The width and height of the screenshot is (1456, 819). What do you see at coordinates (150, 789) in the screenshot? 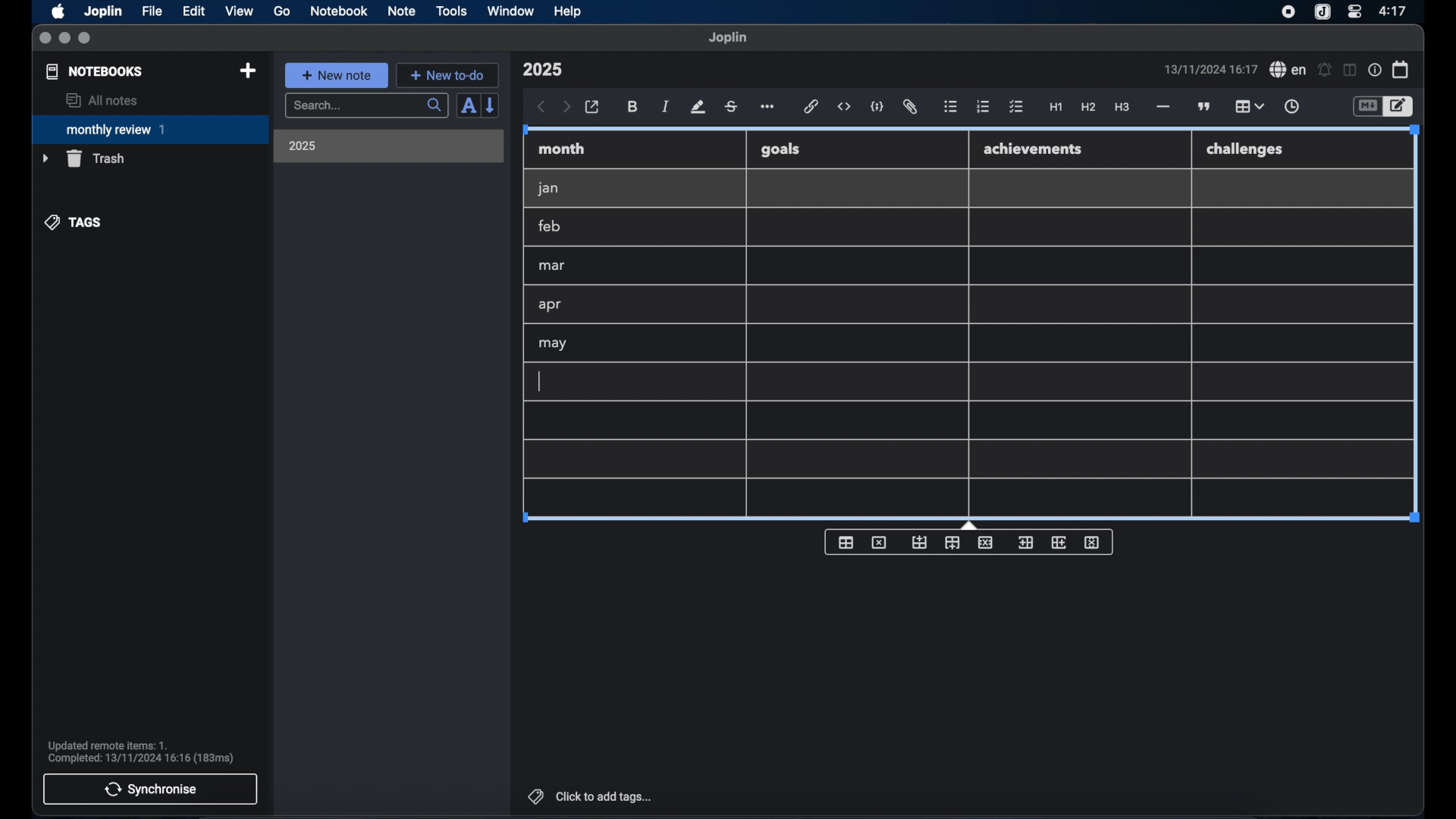
I see `synchronise` at bounding box center [150, 789].